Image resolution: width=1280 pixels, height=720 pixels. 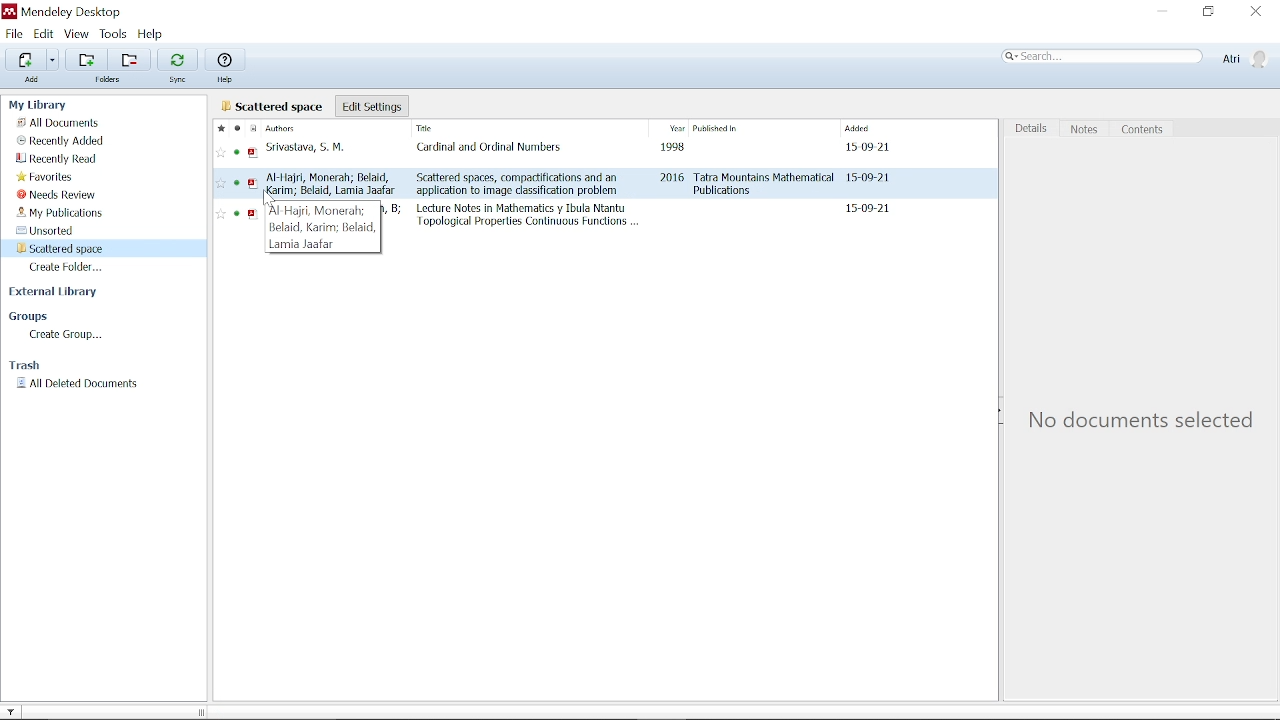 What do you see at coordinates (331, 183) in the screenshot?
I see `author` at bounding box center [331, 183].